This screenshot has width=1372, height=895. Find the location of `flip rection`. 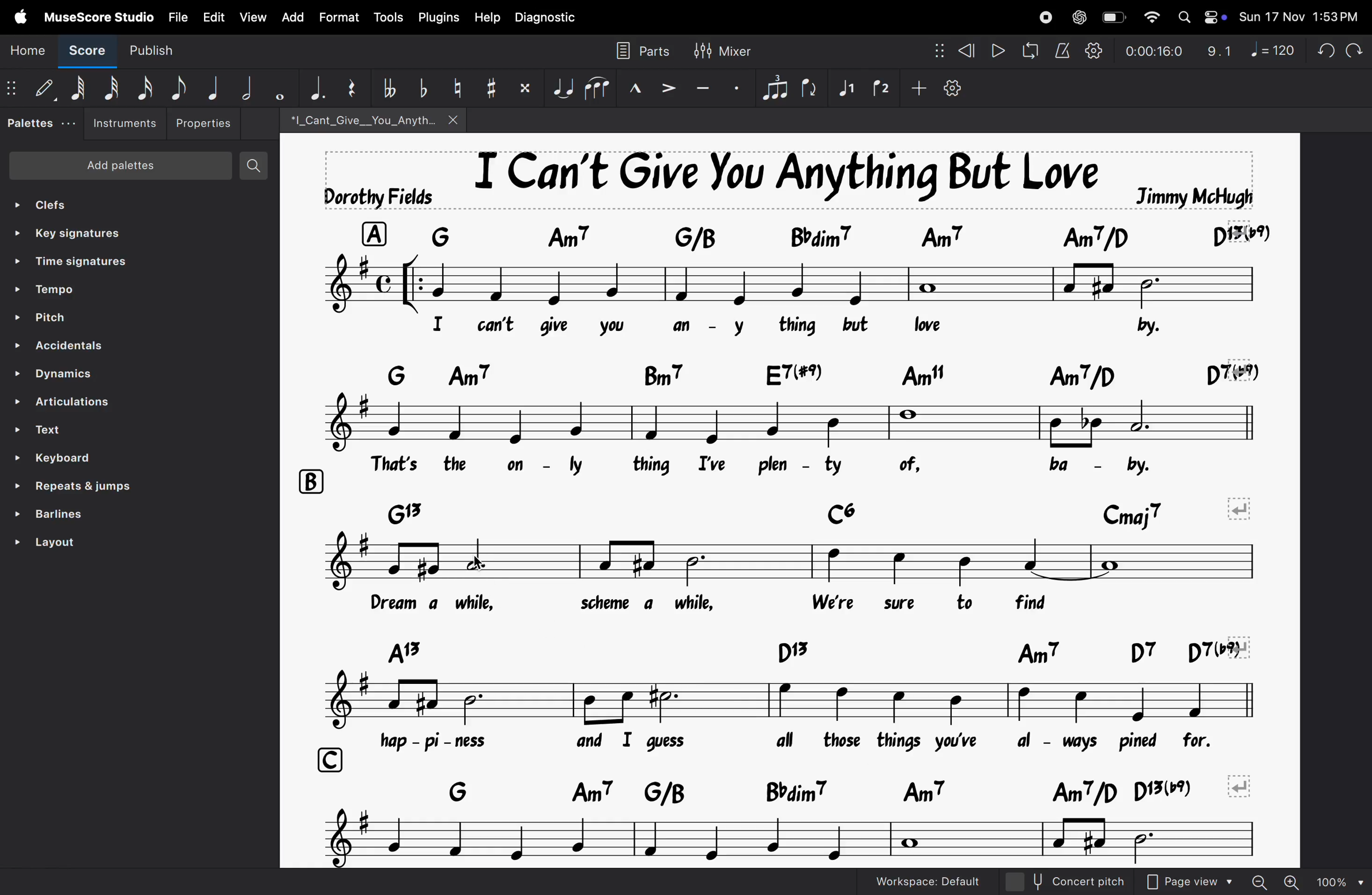

flip rection is located at coordinates (809, 89).